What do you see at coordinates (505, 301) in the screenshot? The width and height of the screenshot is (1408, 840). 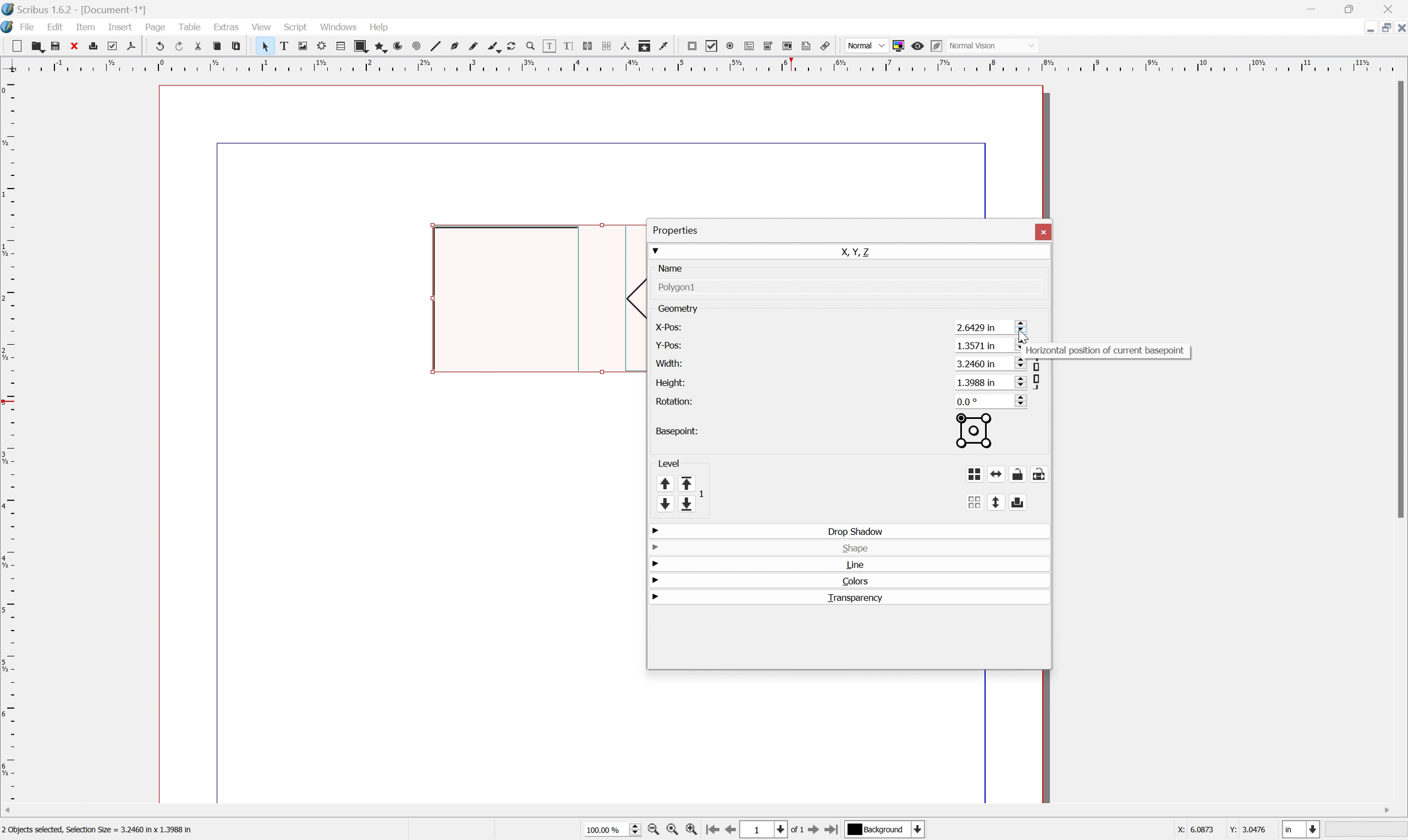 I see `Rectangle` at bounding box center [505, 301].